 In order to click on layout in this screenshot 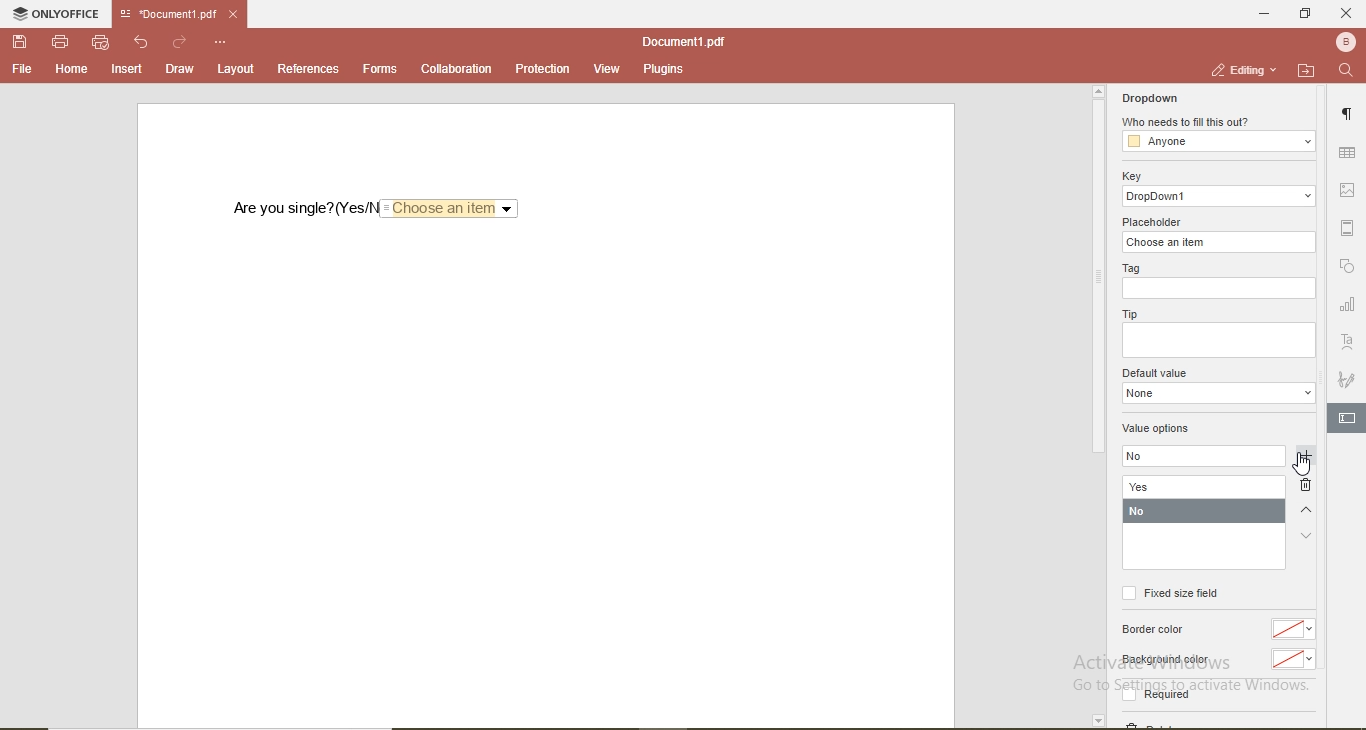, I will do `click(233, 69)`.